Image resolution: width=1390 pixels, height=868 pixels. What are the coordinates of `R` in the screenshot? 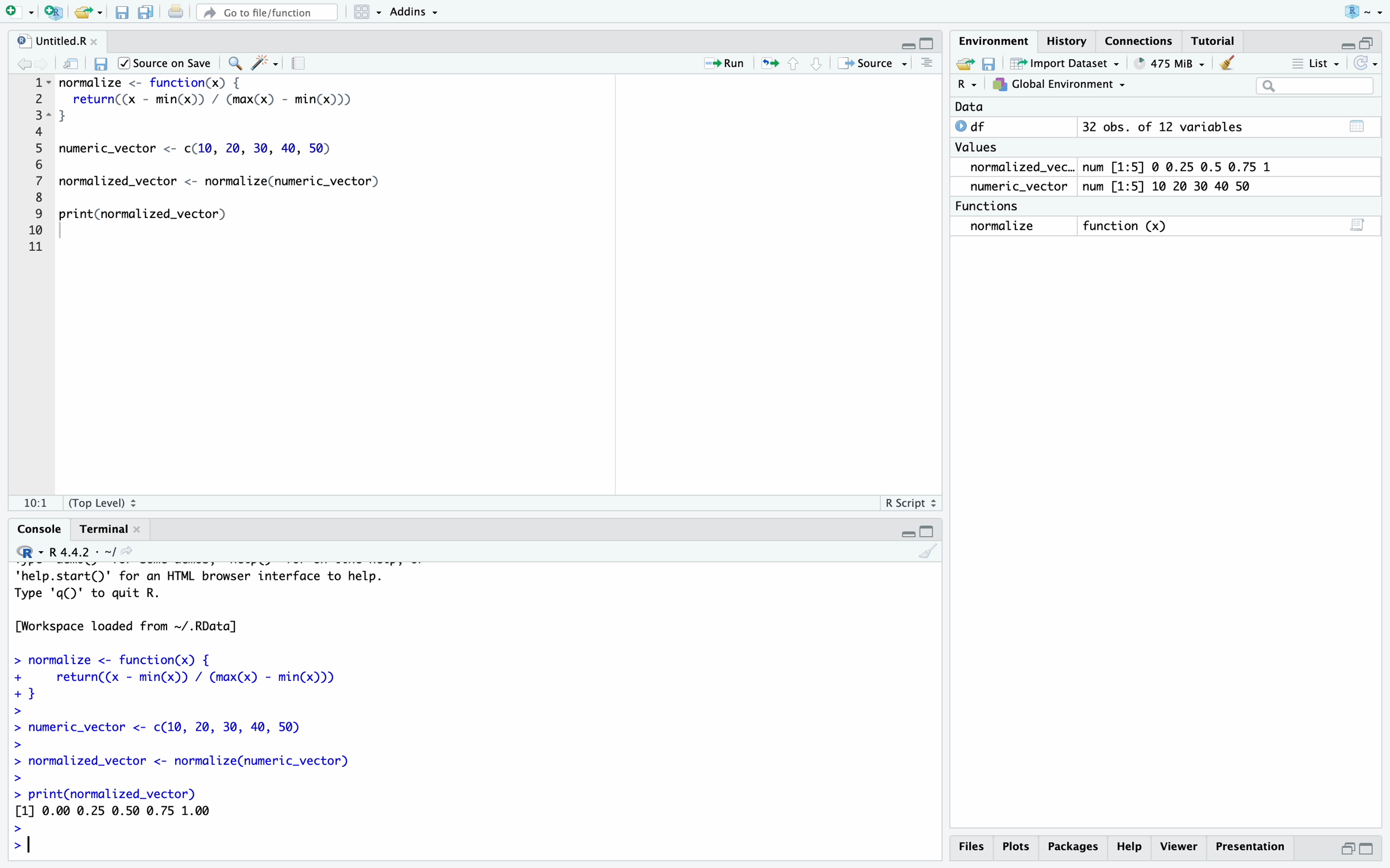 It's located at (967, 87).